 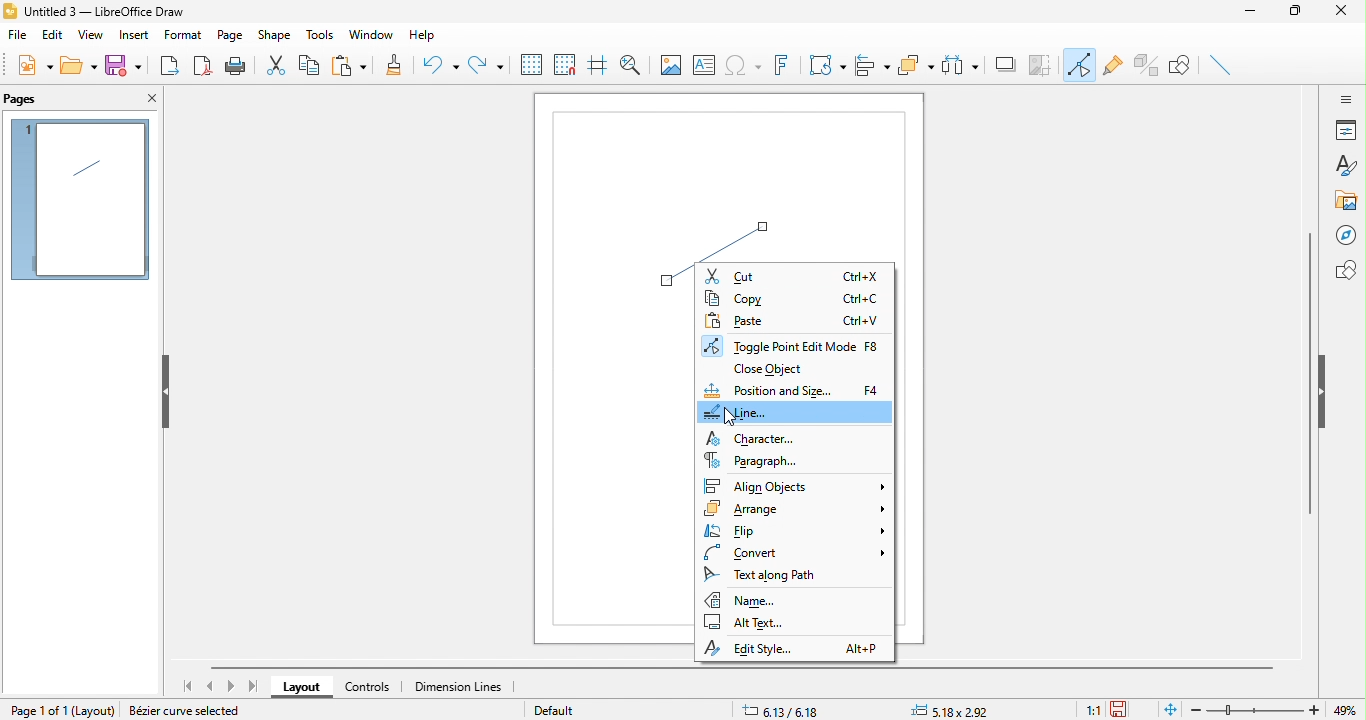 What do you see at coordinates (794, 648) in the screenshot?
I see `edit style` at bounding box center [794, 648].